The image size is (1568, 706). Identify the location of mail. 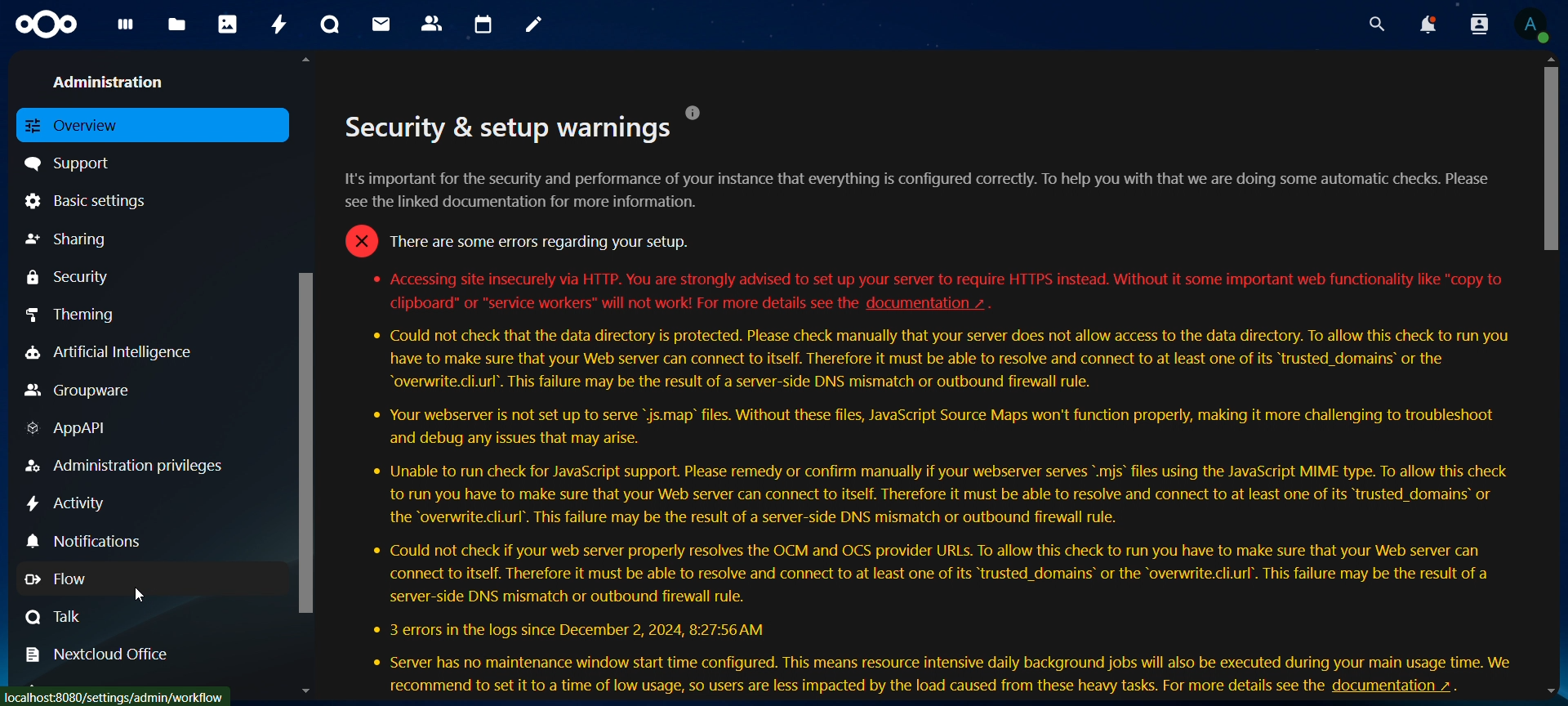
(383, 24).